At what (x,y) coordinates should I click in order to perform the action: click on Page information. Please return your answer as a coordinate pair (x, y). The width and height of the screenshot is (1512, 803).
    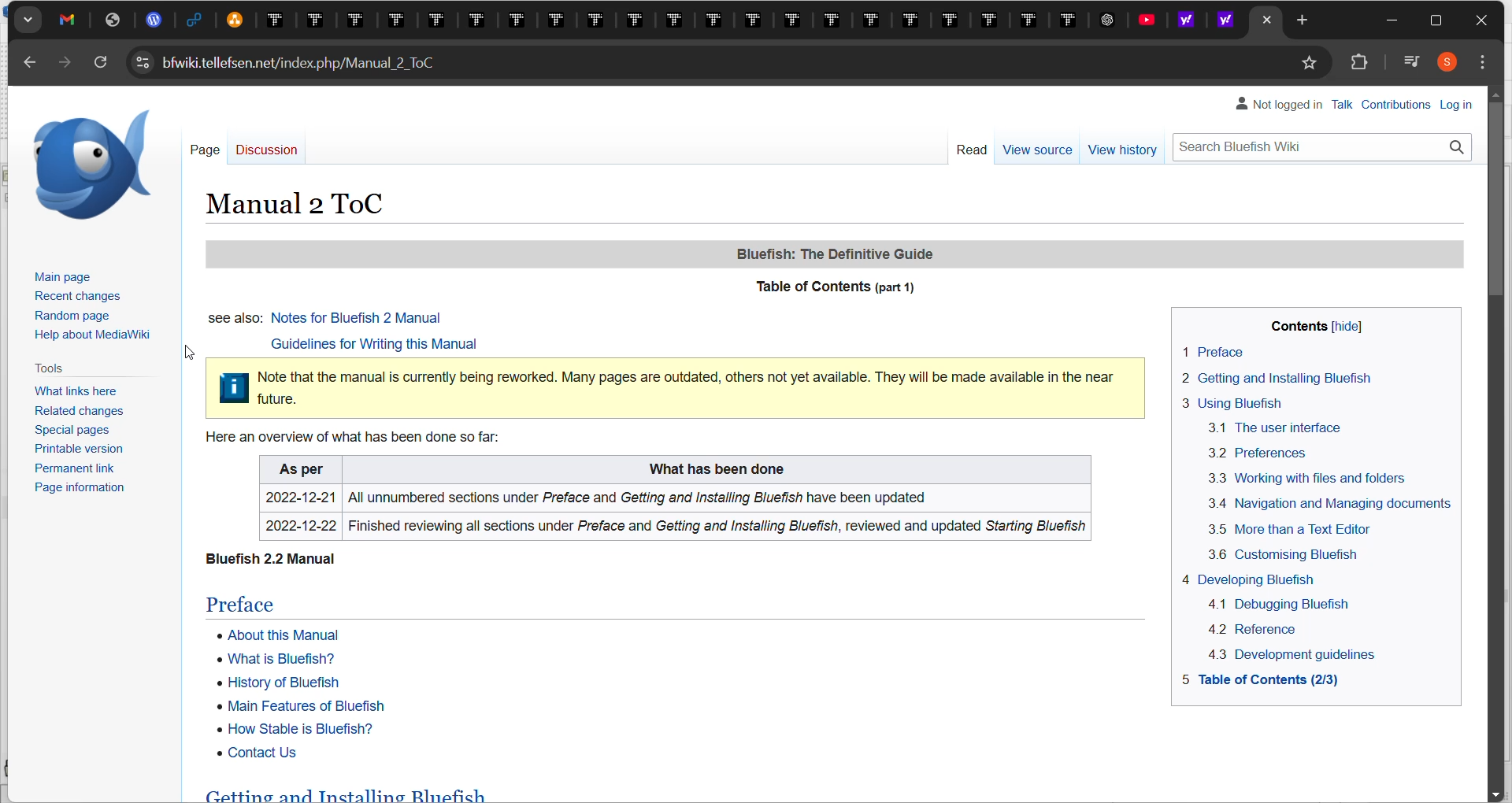
    Looking at the image, I should click on (68, 490).